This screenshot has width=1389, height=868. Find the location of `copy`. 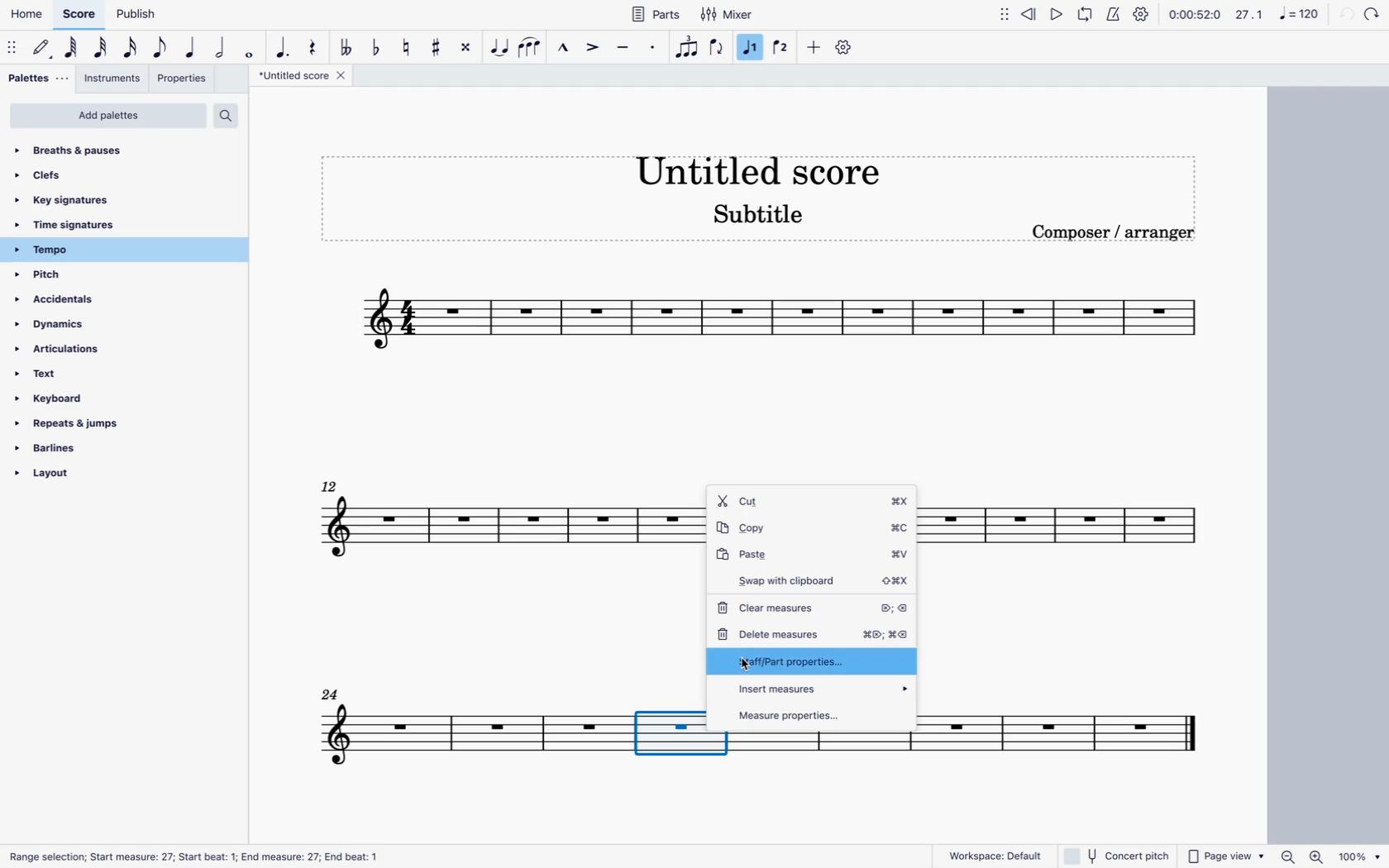

copy is located at coordinates (814, 527).